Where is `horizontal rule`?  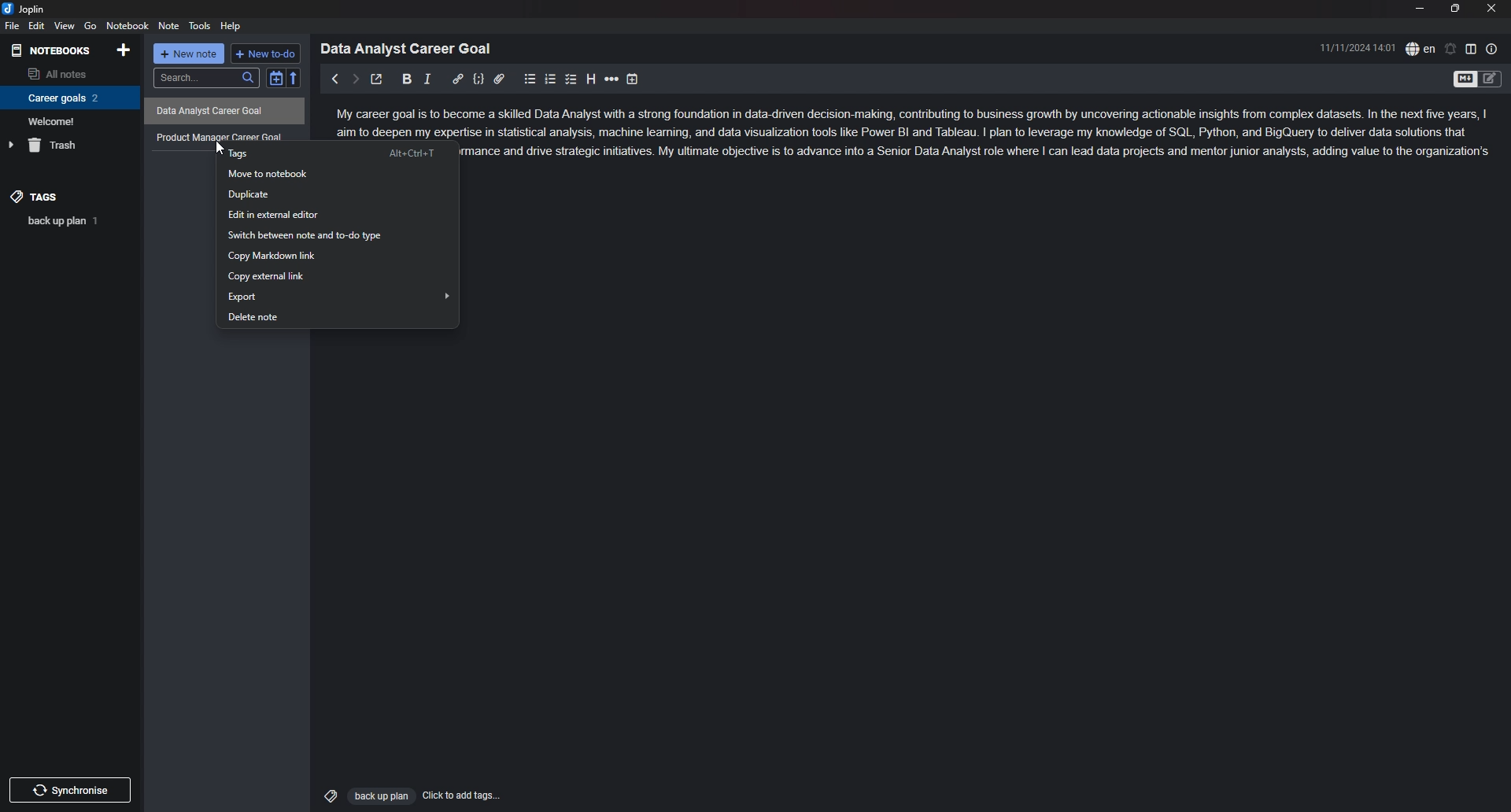 horizontal rule is located at coordinates (611, 79).